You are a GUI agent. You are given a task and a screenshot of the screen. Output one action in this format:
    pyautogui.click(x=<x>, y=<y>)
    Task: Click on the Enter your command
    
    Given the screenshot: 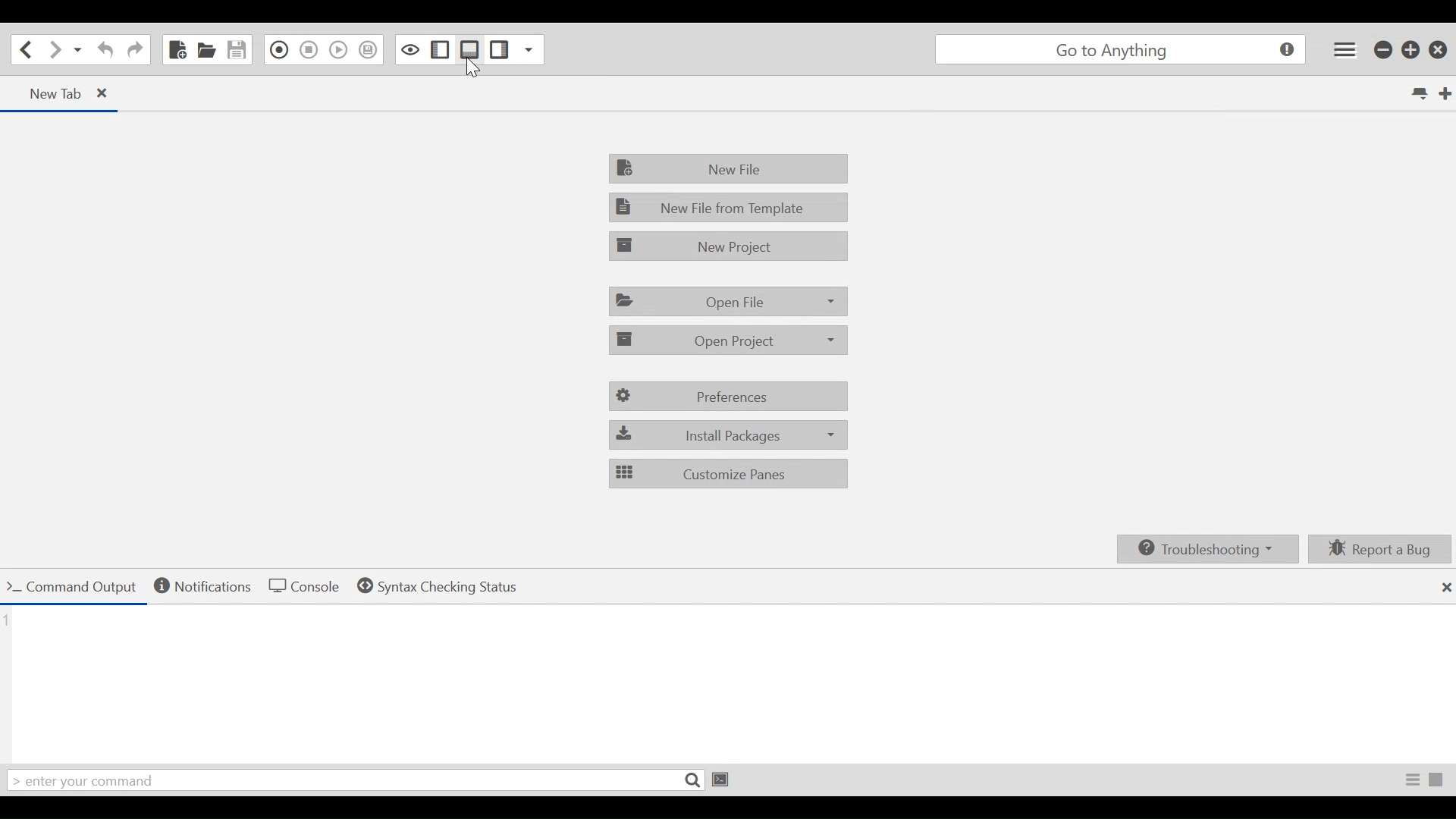 What is the action you would take?
    pyautogui.click(x=353, y=780)
    